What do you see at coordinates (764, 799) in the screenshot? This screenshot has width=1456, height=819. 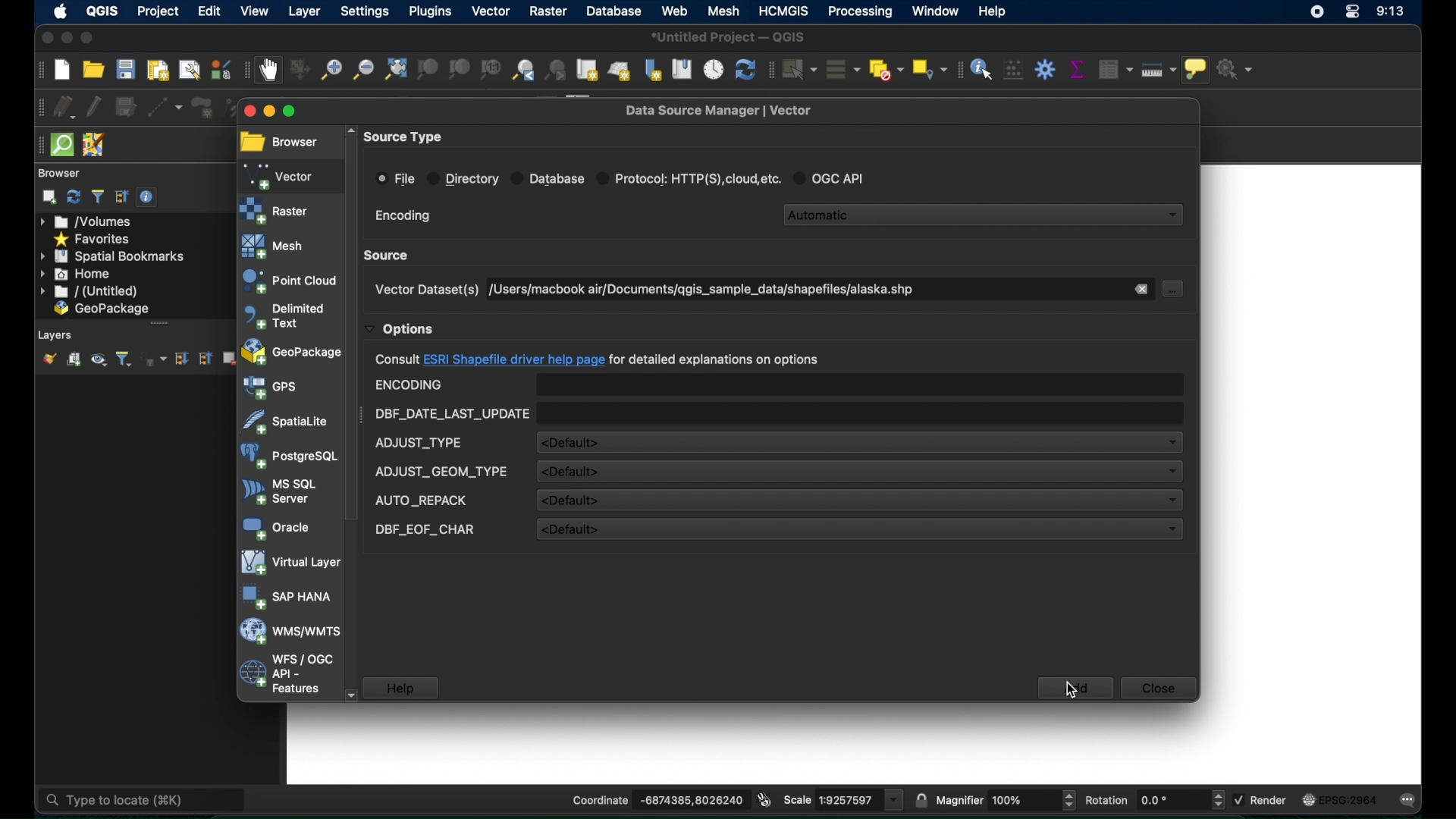 I see `toggle extents and mouse display position` at bounding box center [764, 799].